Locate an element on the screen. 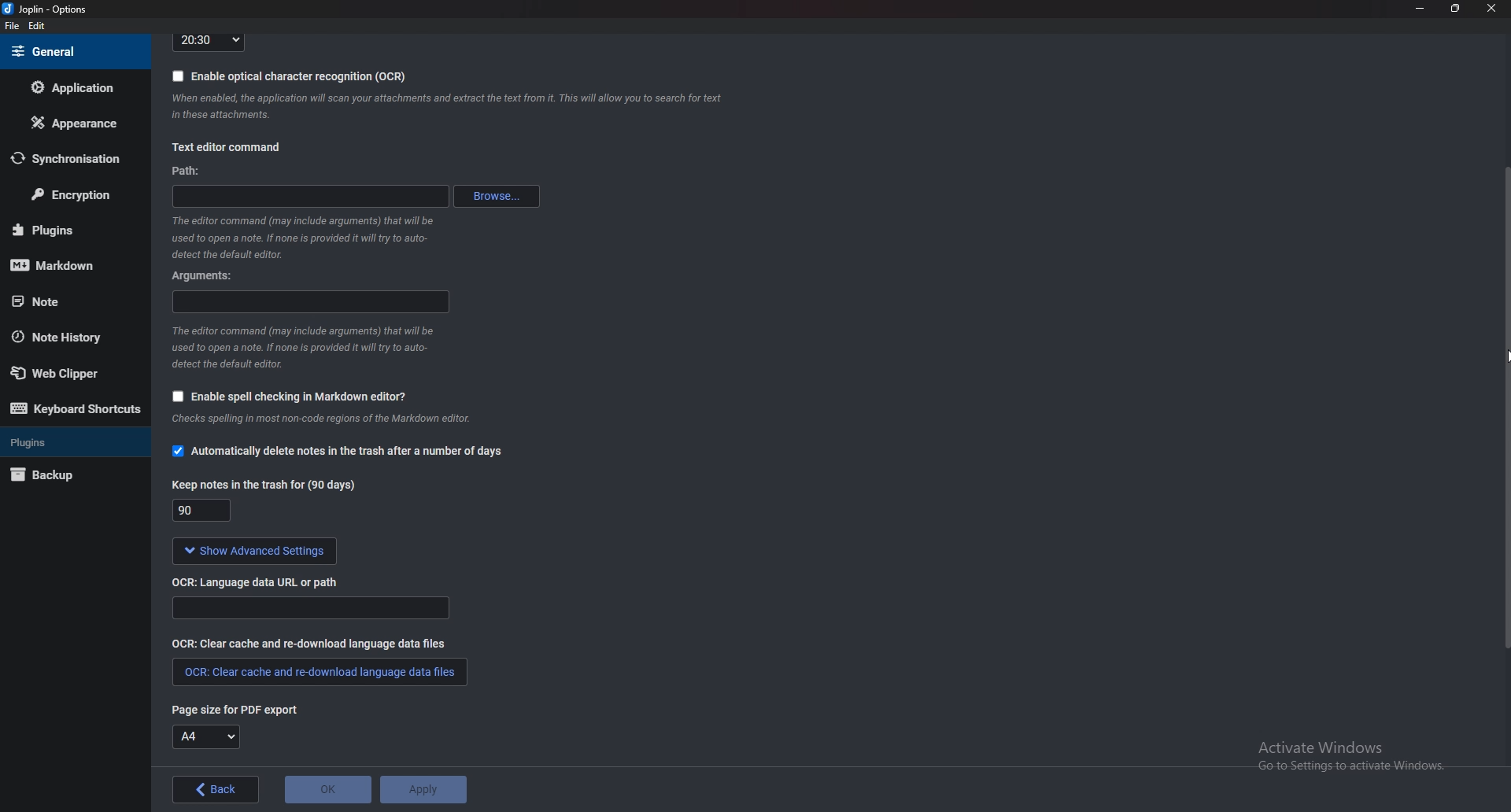  show advanced settings is located at coordinates (251, 552).